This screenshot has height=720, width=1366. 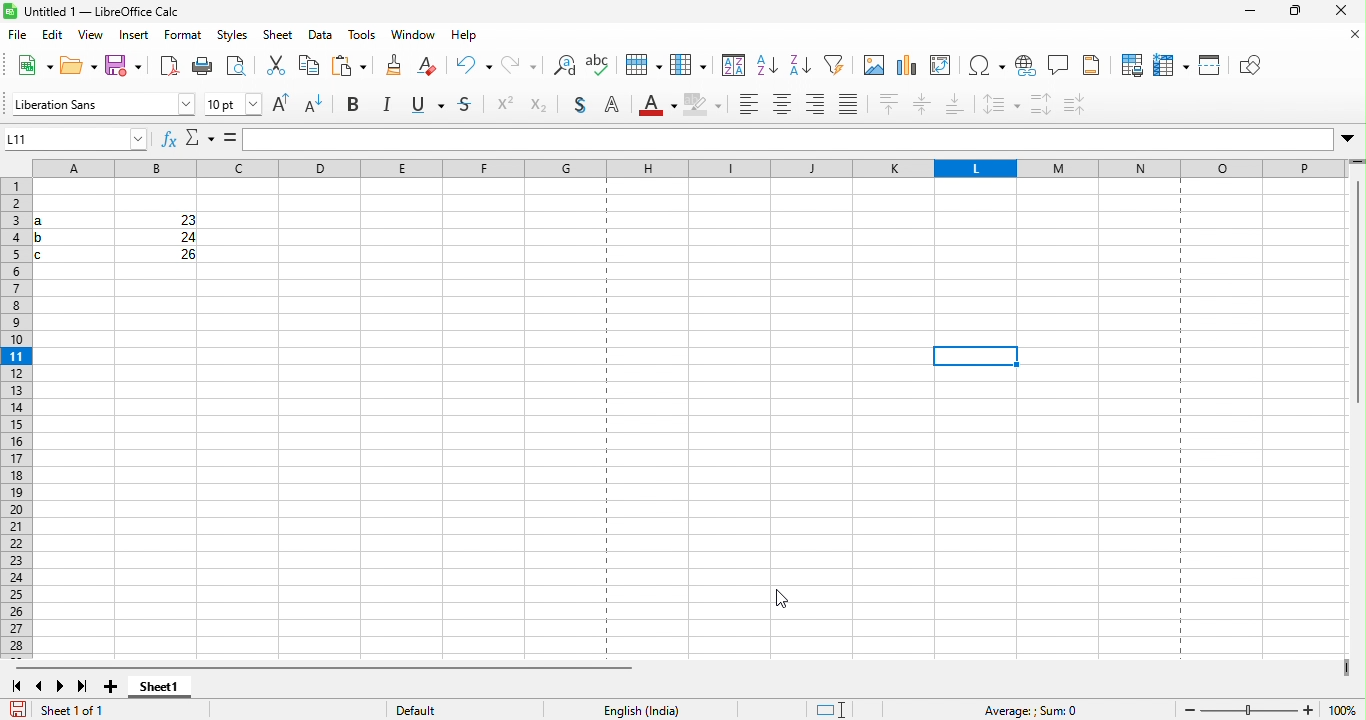 What do you see at coordinates (431, 105) in the screenshot?
I see `underline` at bounding box center [431, 105].